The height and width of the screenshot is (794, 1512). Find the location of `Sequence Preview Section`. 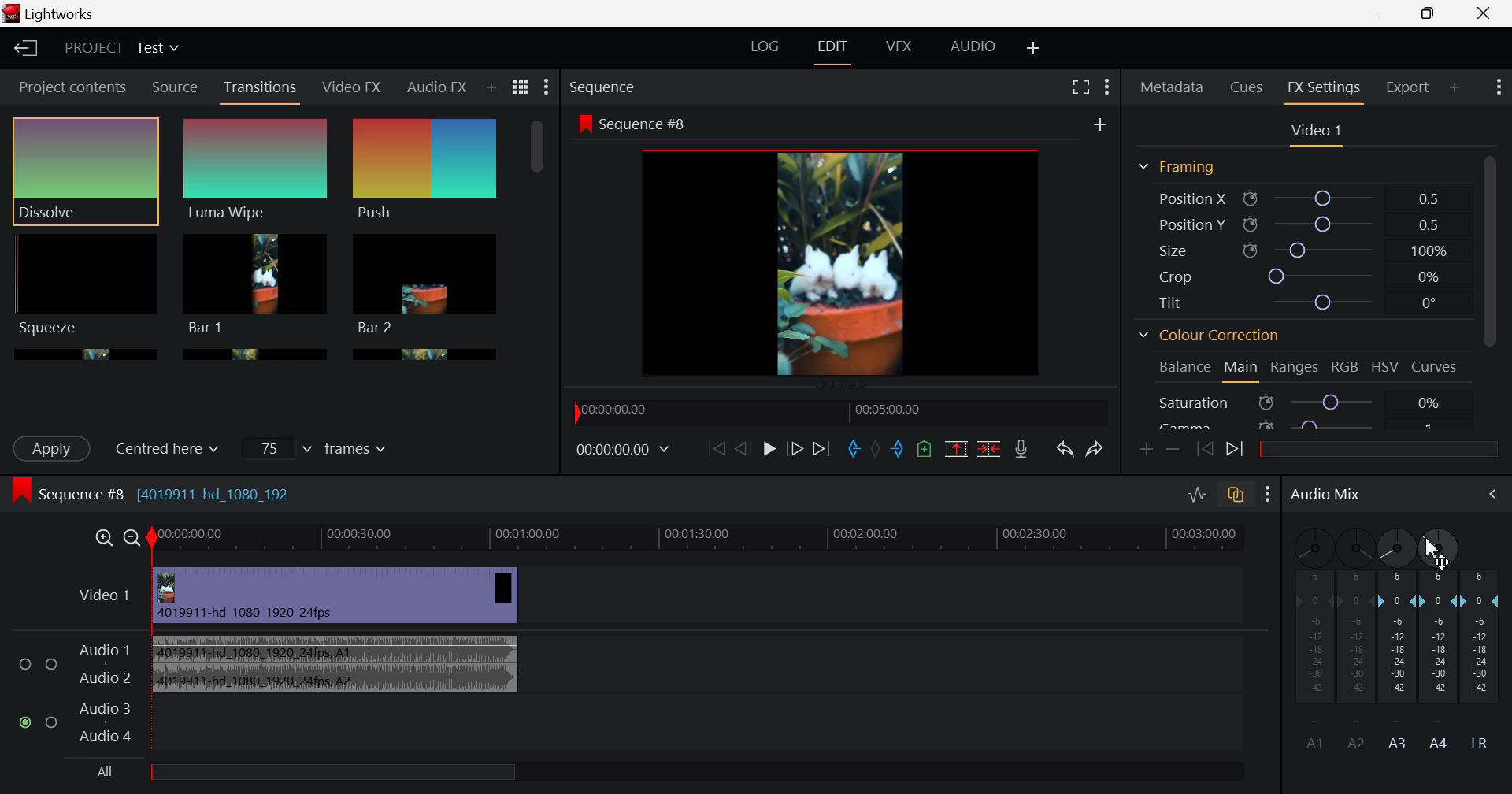

Sequence Preview Section is located at coordinates (606, 87).